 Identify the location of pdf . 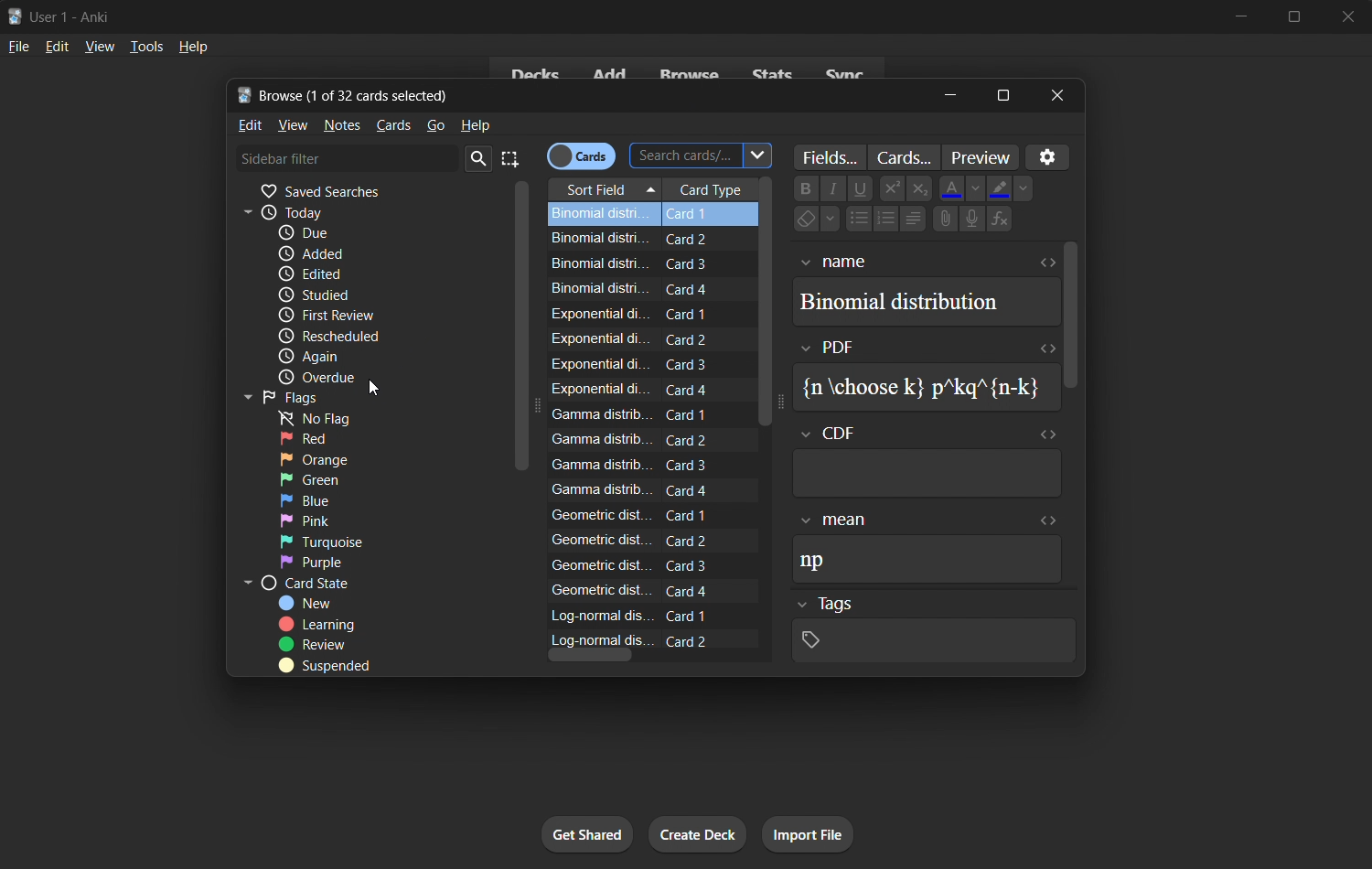
(879, 346).